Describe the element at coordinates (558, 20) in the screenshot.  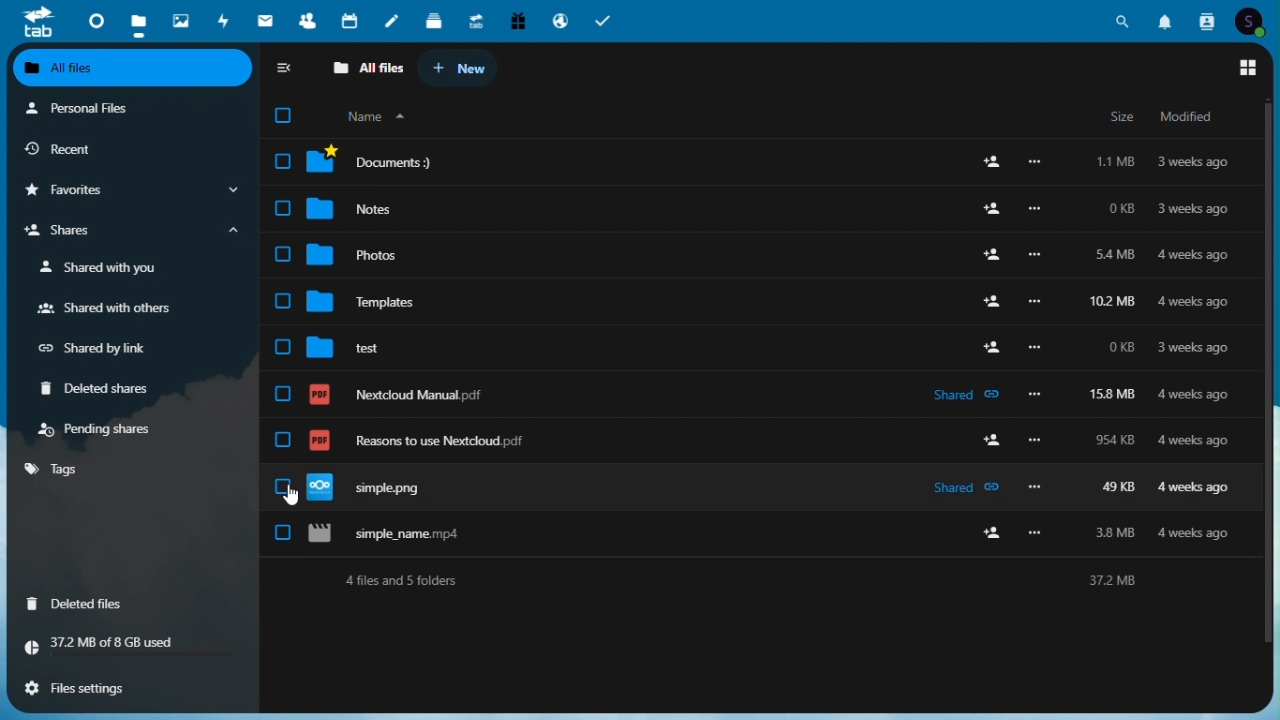
I see `email hosting` at that location.